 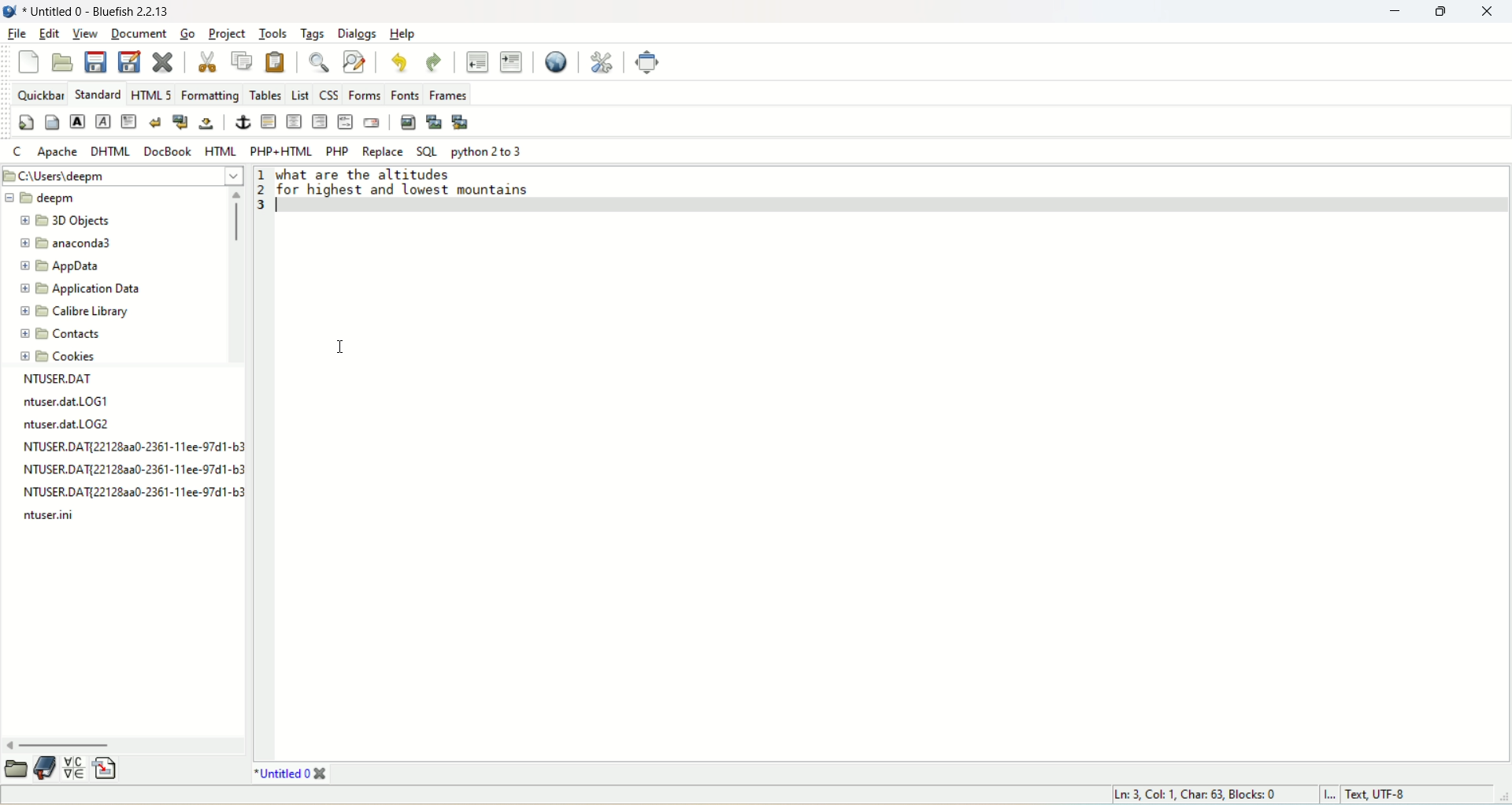 I want to click on NTUSER.DAT{22128220-2361-11ee-97d1-b3, so click(x=135, y=470).